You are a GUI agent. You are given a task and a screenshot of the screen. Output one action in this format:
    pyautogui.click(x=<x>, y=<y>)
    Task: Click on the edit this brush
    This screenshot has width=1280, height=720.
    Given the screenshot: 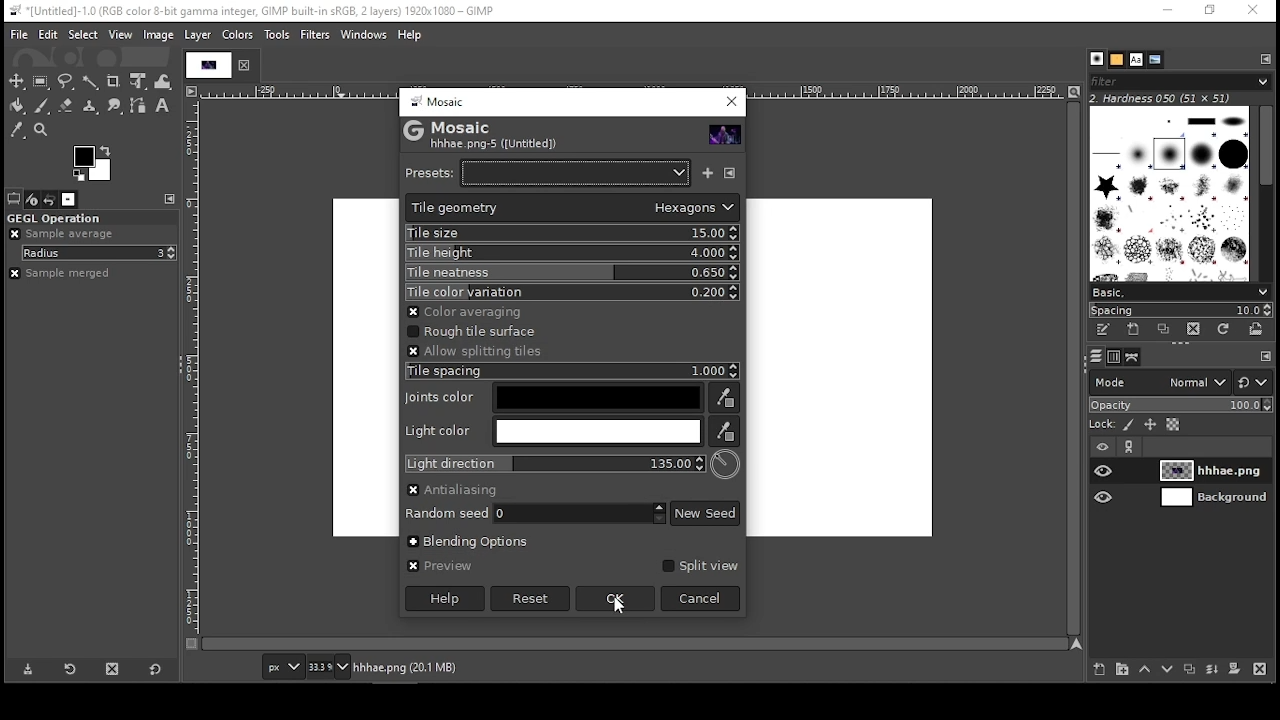 What is the action you would take?
    pyautogui.click(x=1104, y=331)
    